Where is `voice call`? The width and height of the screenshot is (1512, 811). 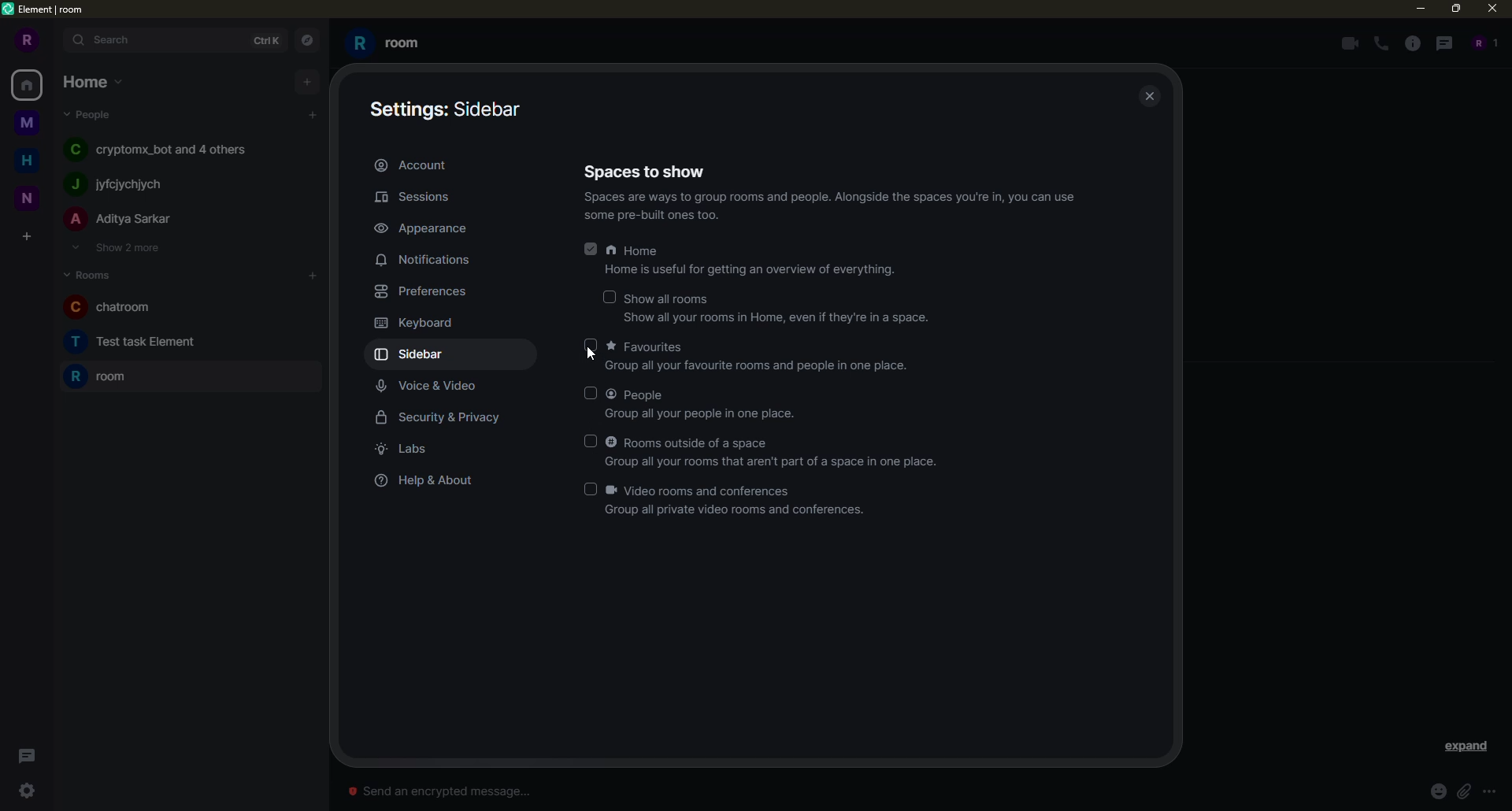
voice call is located at coordinates (1380, 43).